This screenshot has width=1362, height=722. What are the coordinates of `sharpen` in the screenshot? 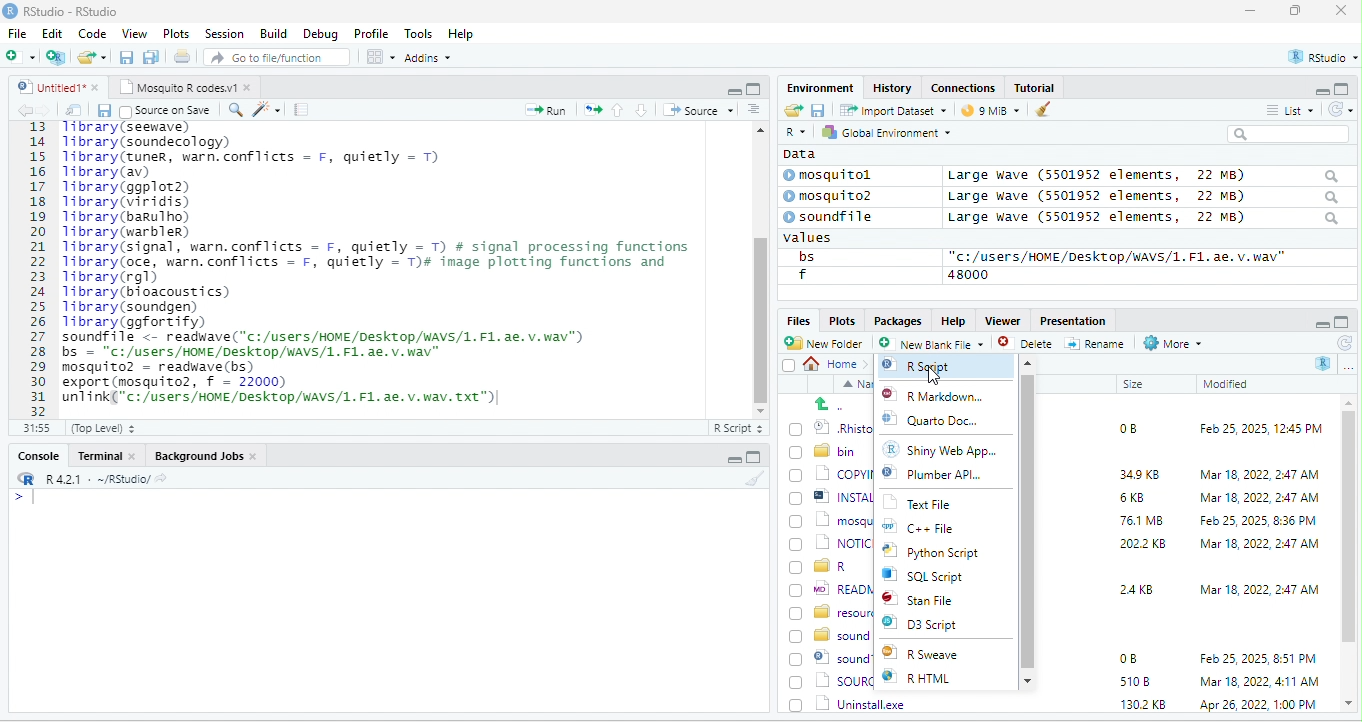 It's located at (267, 109).